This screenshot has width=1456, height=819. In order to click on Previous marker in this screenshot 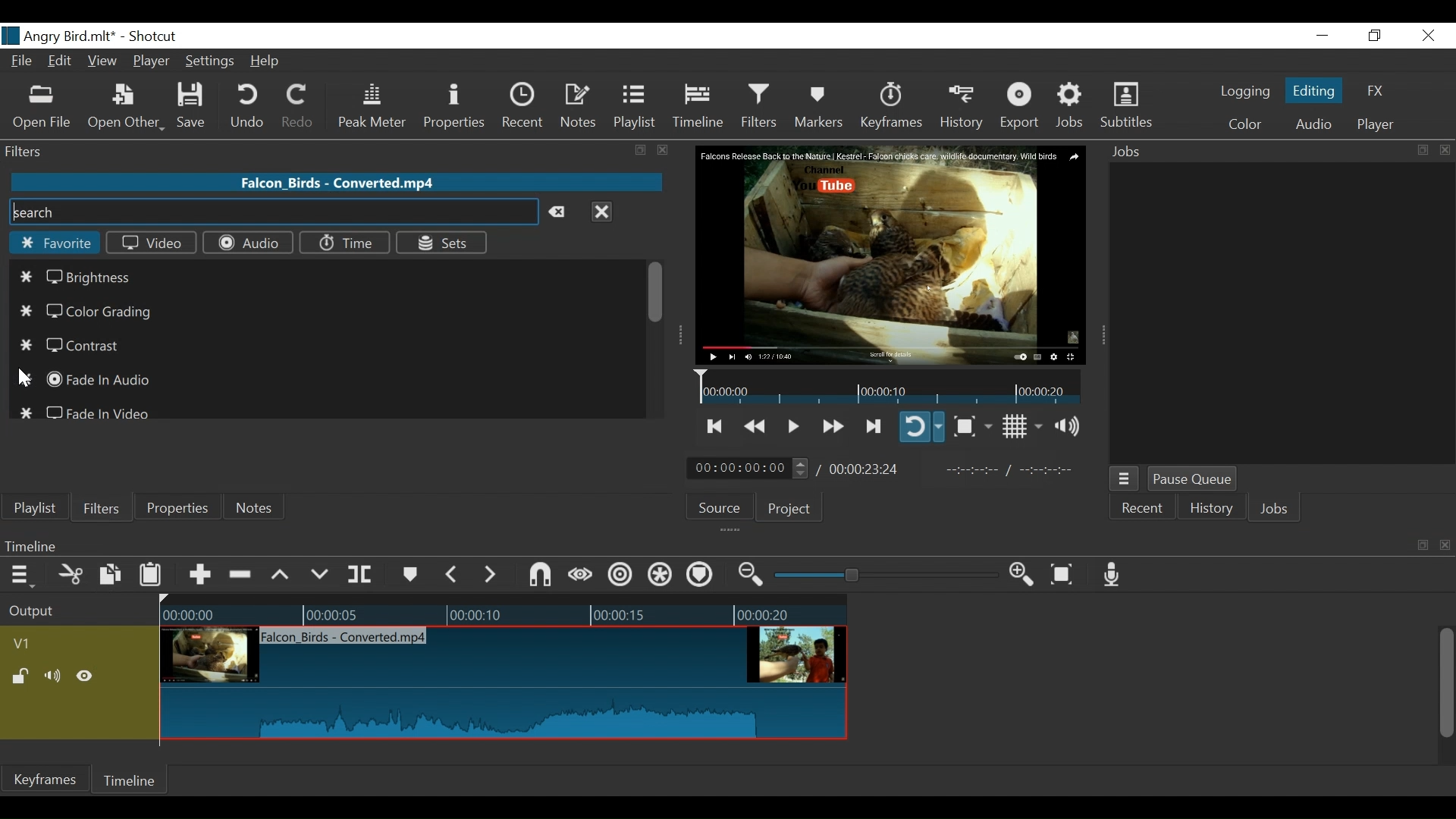, I will do `click(452, 574)`.